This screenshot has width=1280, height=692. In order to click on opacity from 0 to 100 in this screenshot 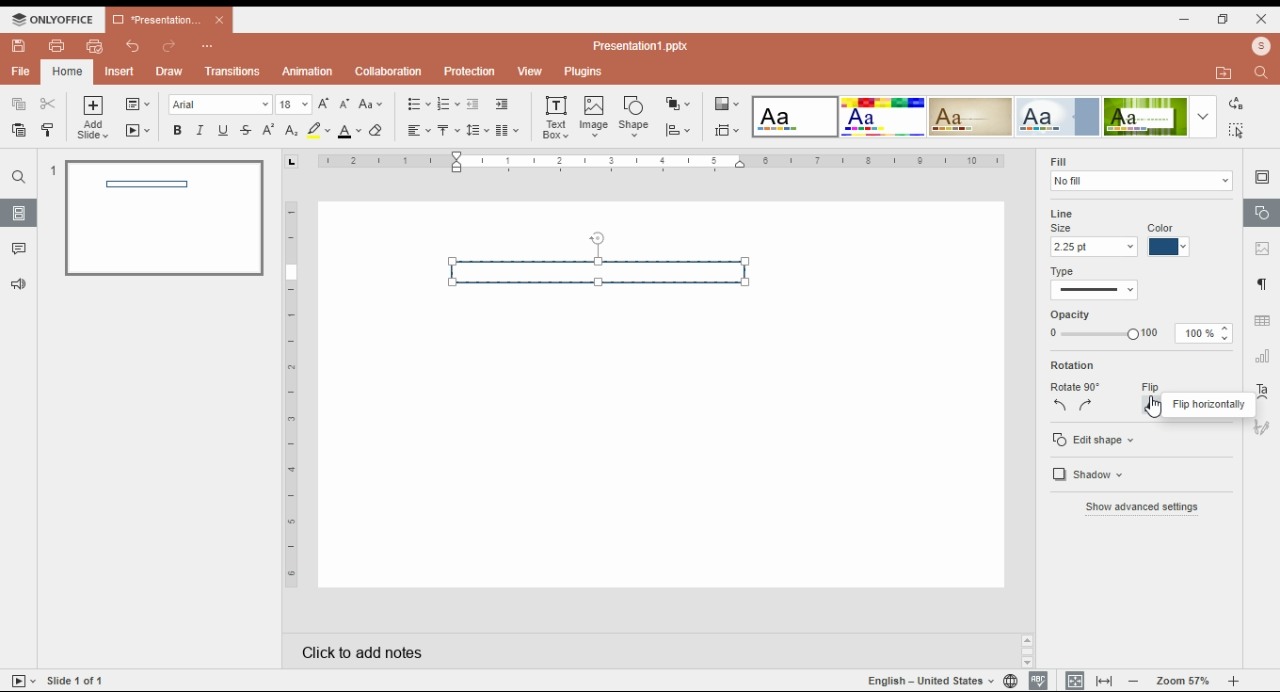, I will do `click(1103, 334)`.